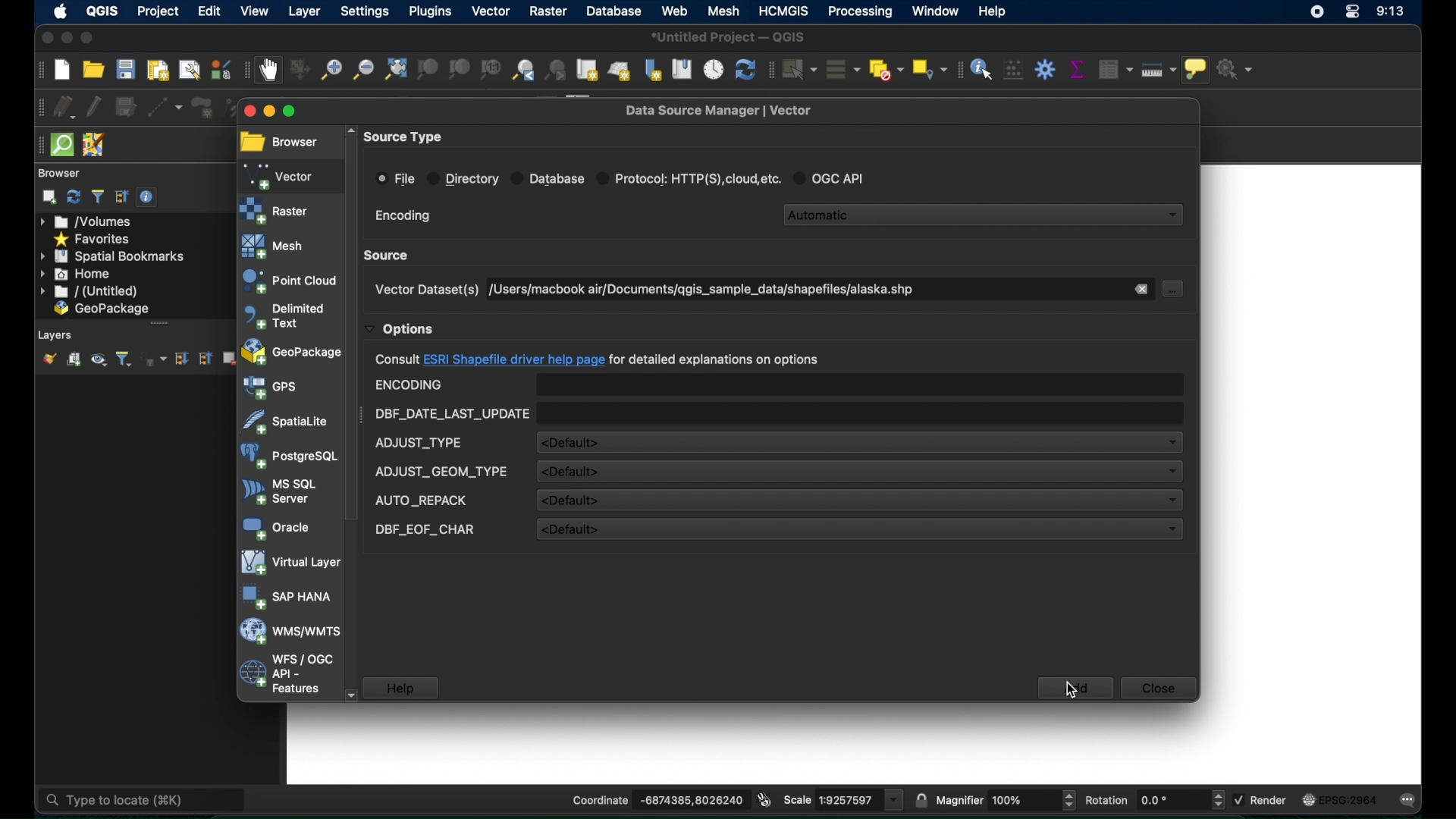 This screenshot has width=1456, height=819. I want to click on selection toolbar, so click(770, 69).